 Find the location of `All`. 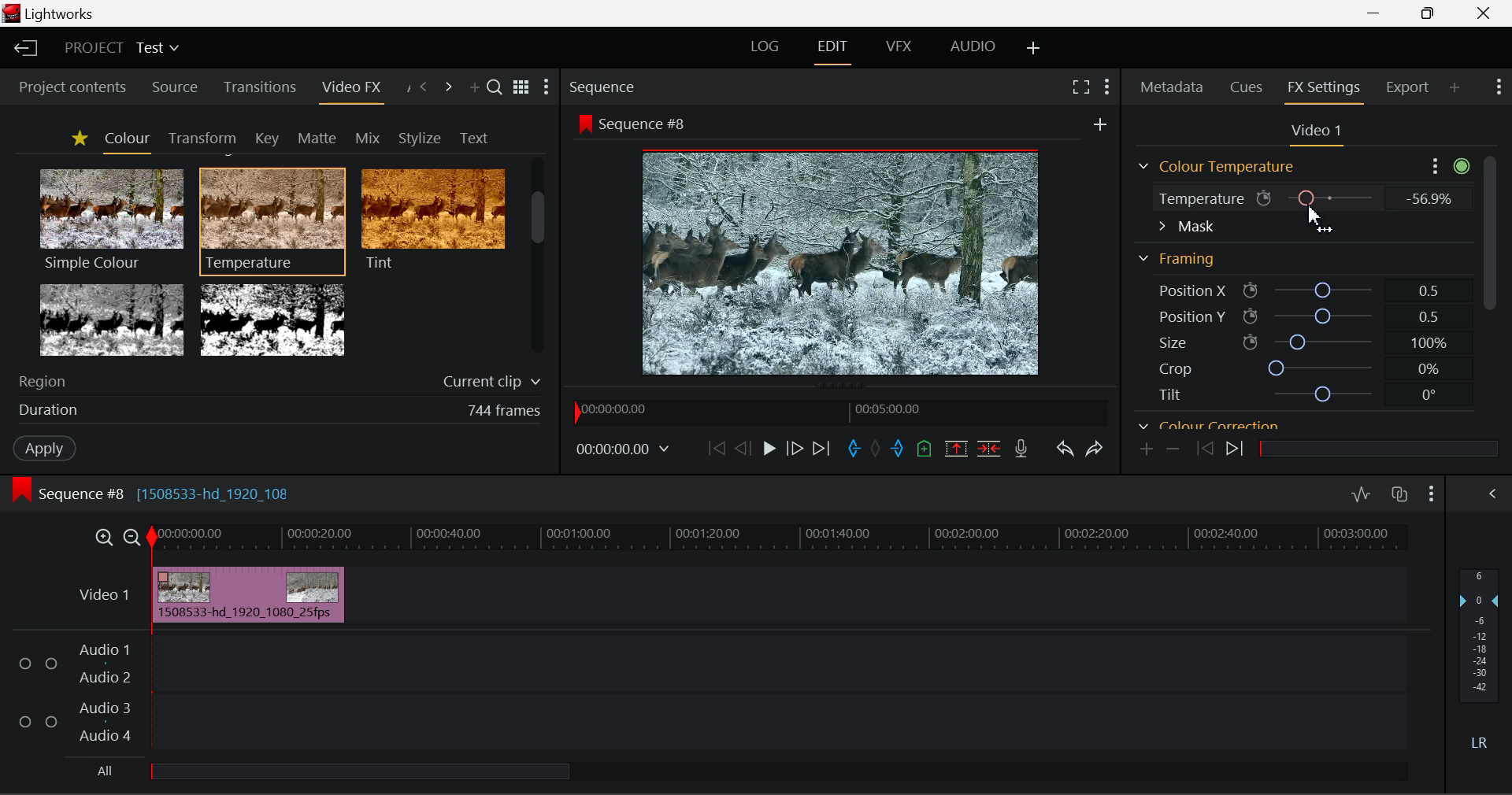

All is located at coordinates (106, 770).